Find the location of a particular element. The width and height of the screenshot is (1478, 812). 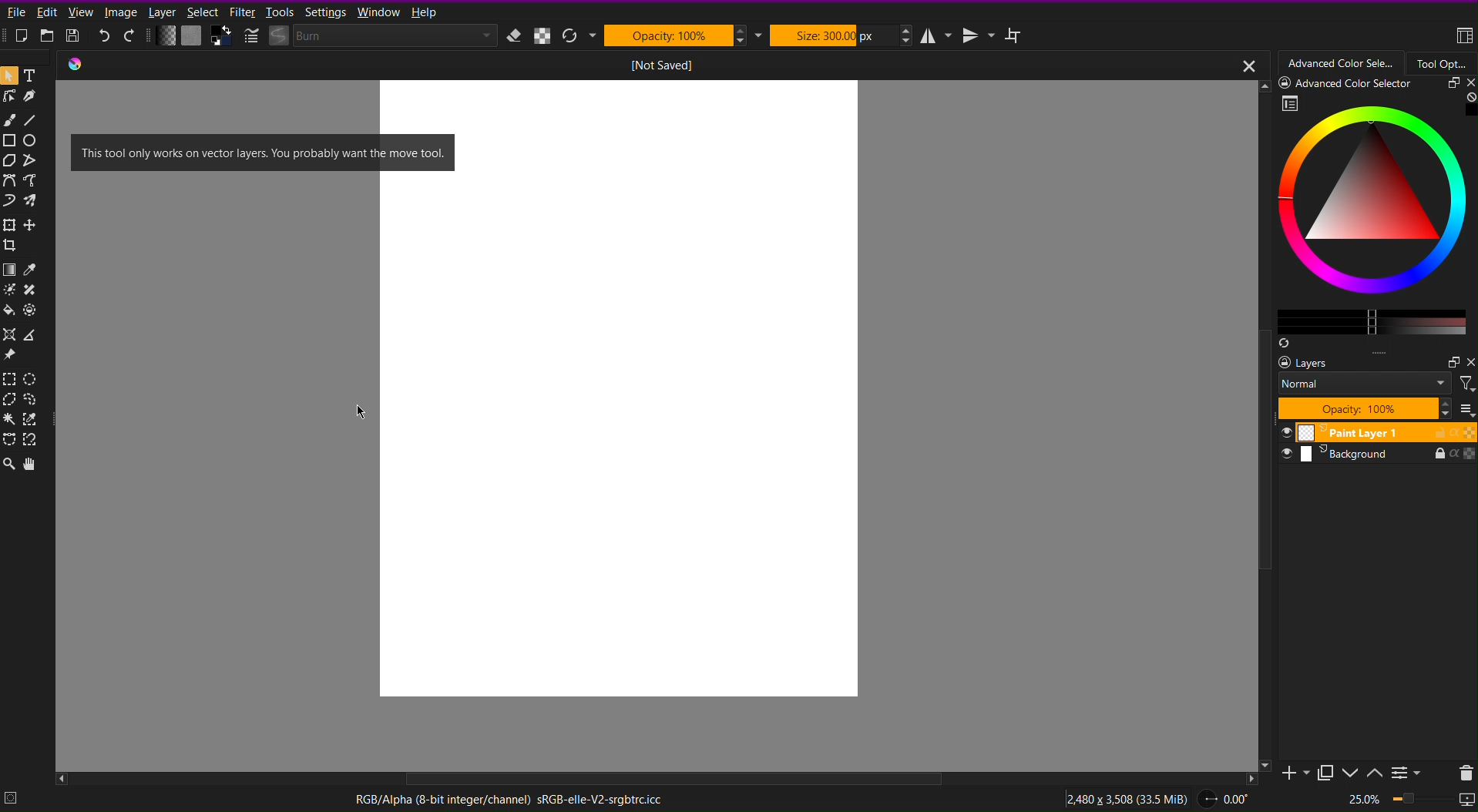

Dimensions is located at coordinates (1130, 797).